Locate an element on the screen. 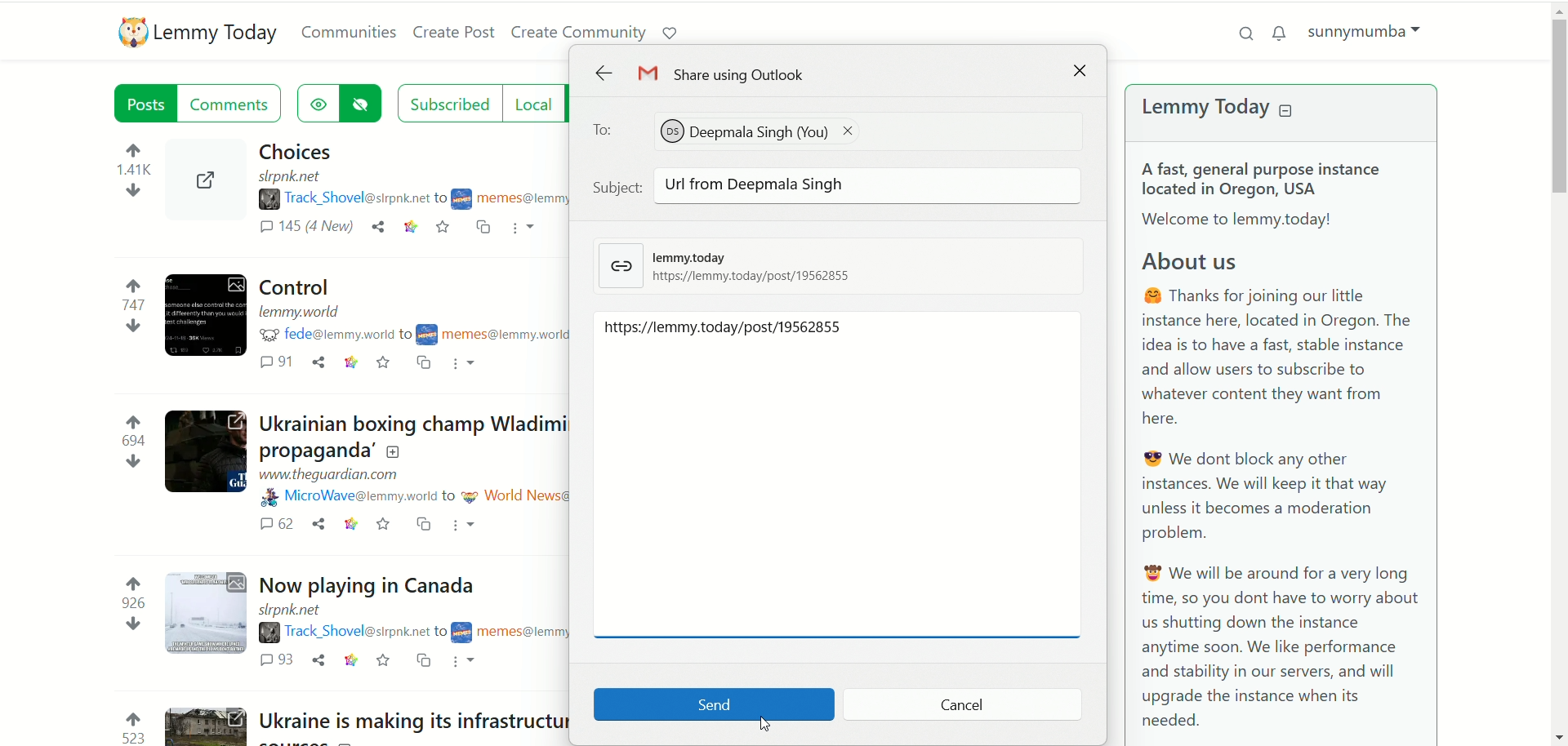 The image size is (1568, 746). send is located at coordinates (715, 705).